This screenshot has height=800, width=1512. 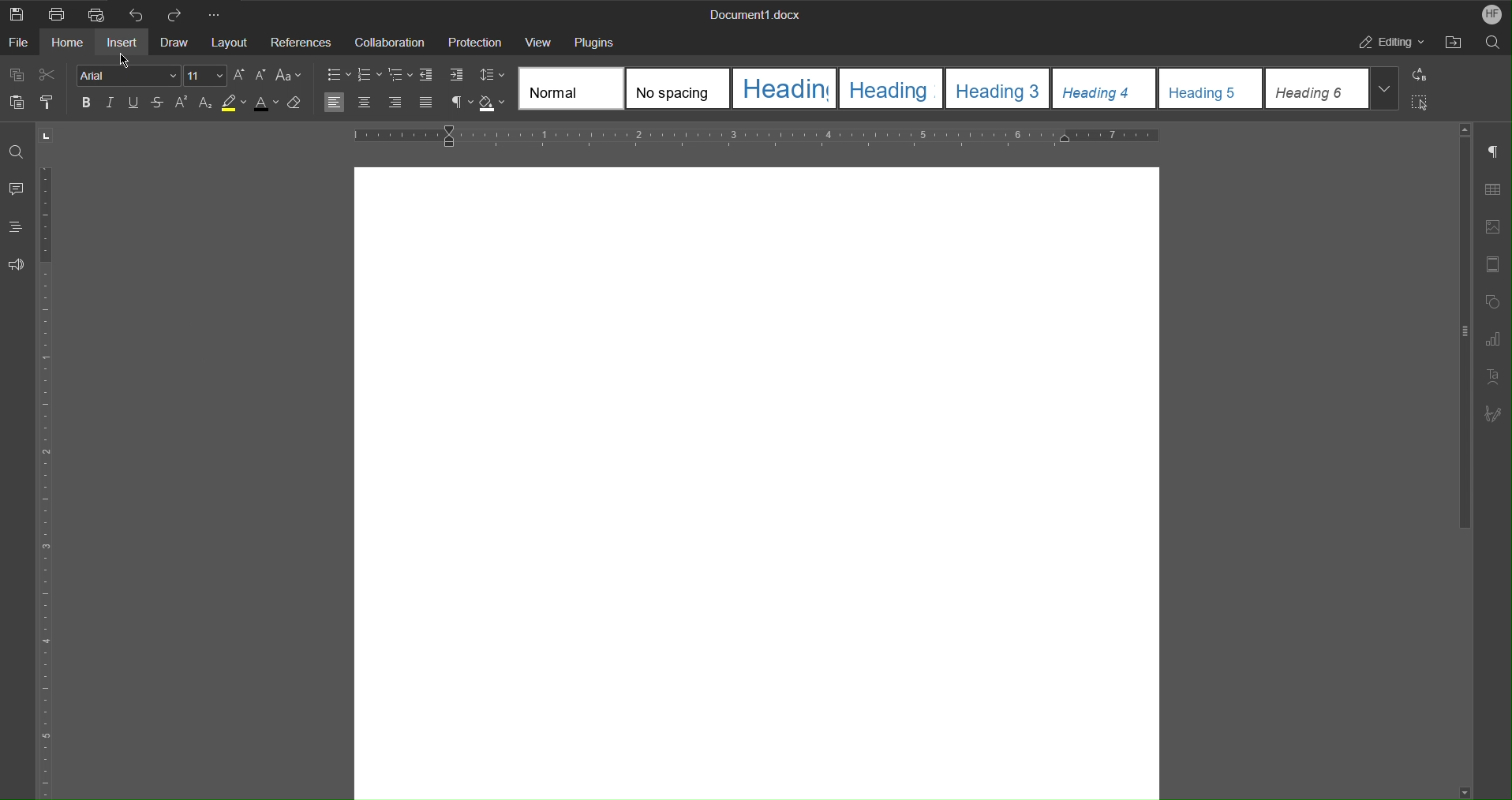 I want to click on No spacing, so click(x=680, y=88).